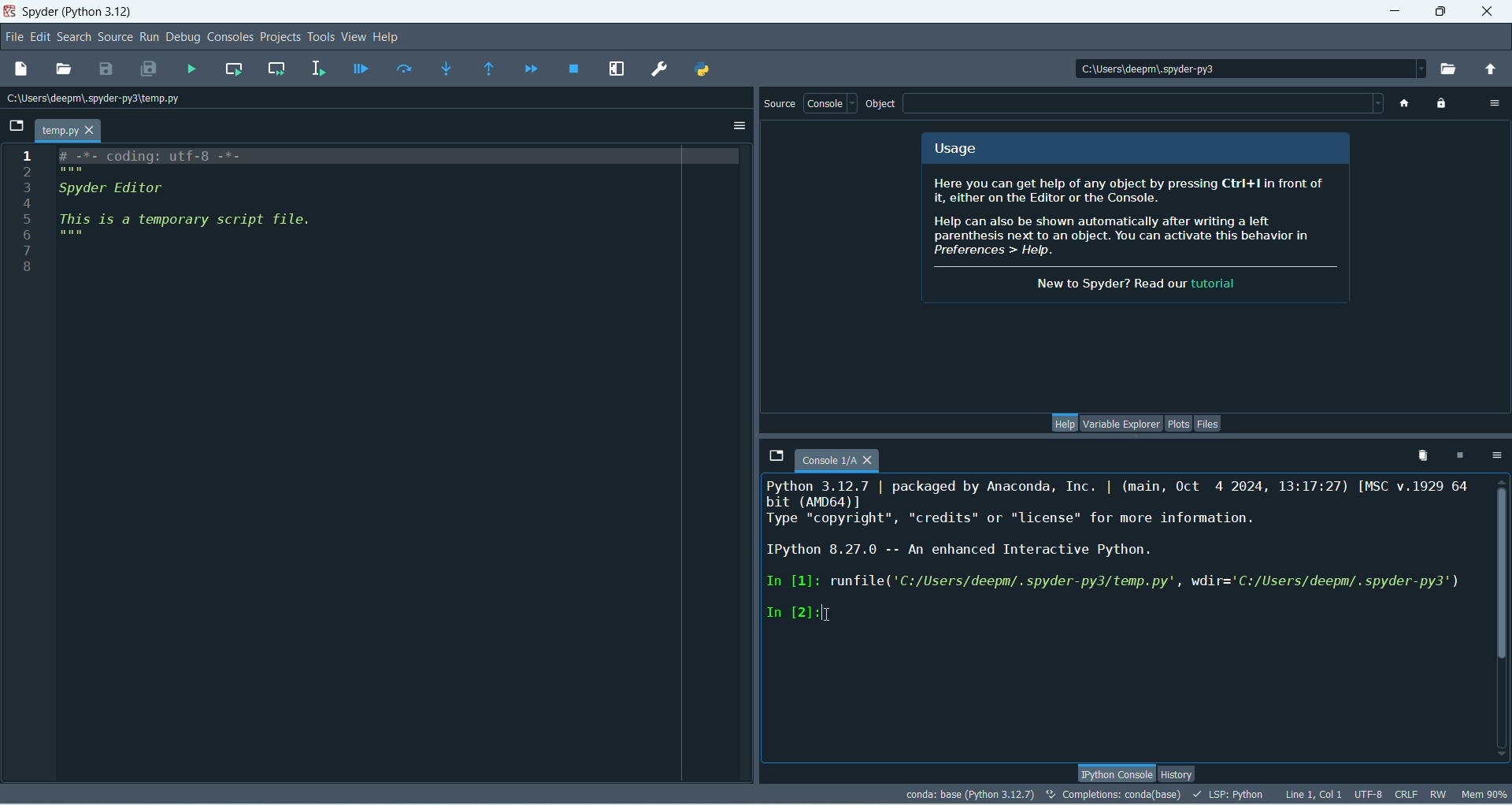  I want to click on remove, so click(1419, 454).